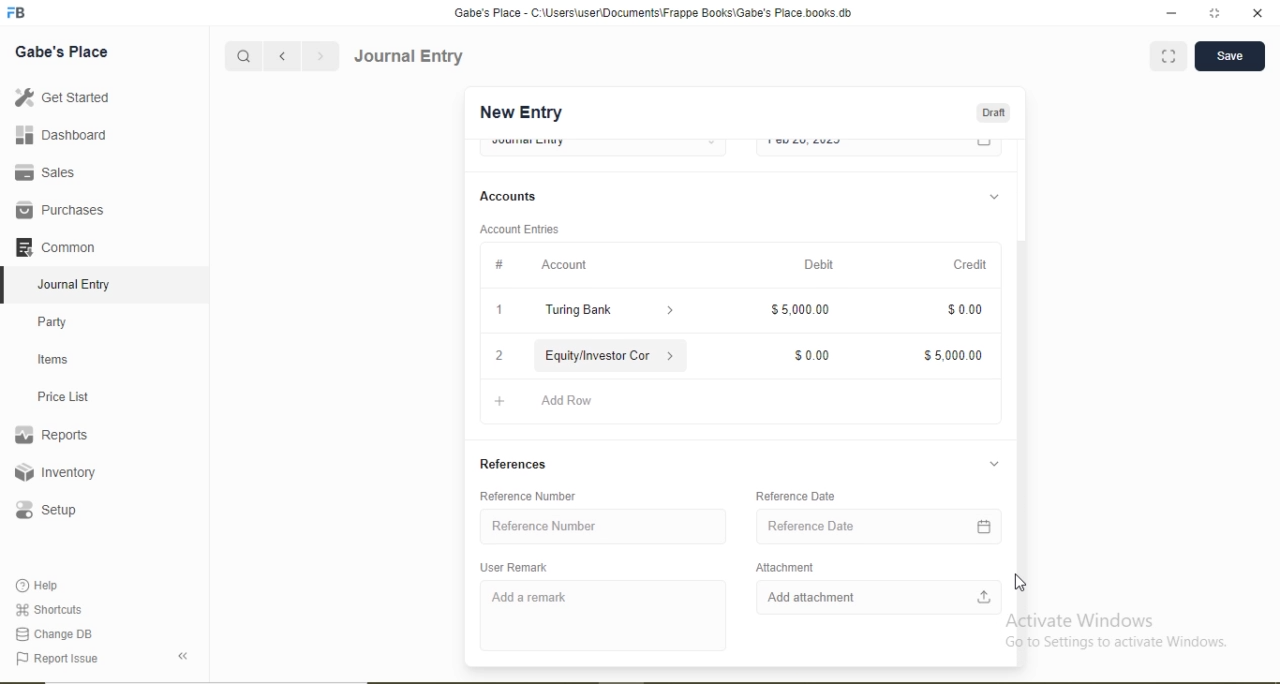 Image resolution: width=1280 pixels, height=684 pixels. What do you see at coordinates (566, 264) in the screenshot?
I see `Account` at bounding box center [566, 264].